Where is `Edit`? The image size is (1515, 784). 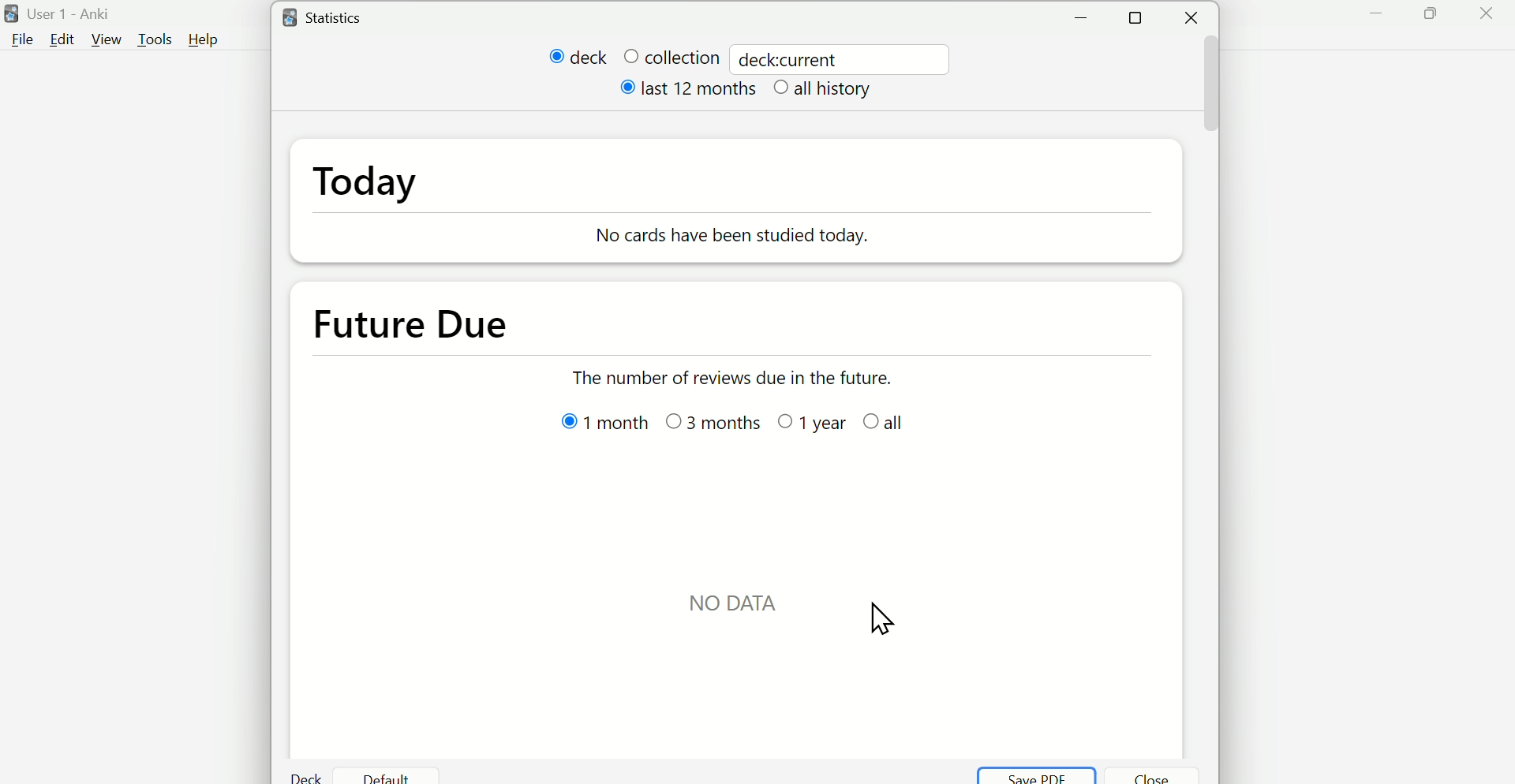 Edit is located at coordinates (59, 39).